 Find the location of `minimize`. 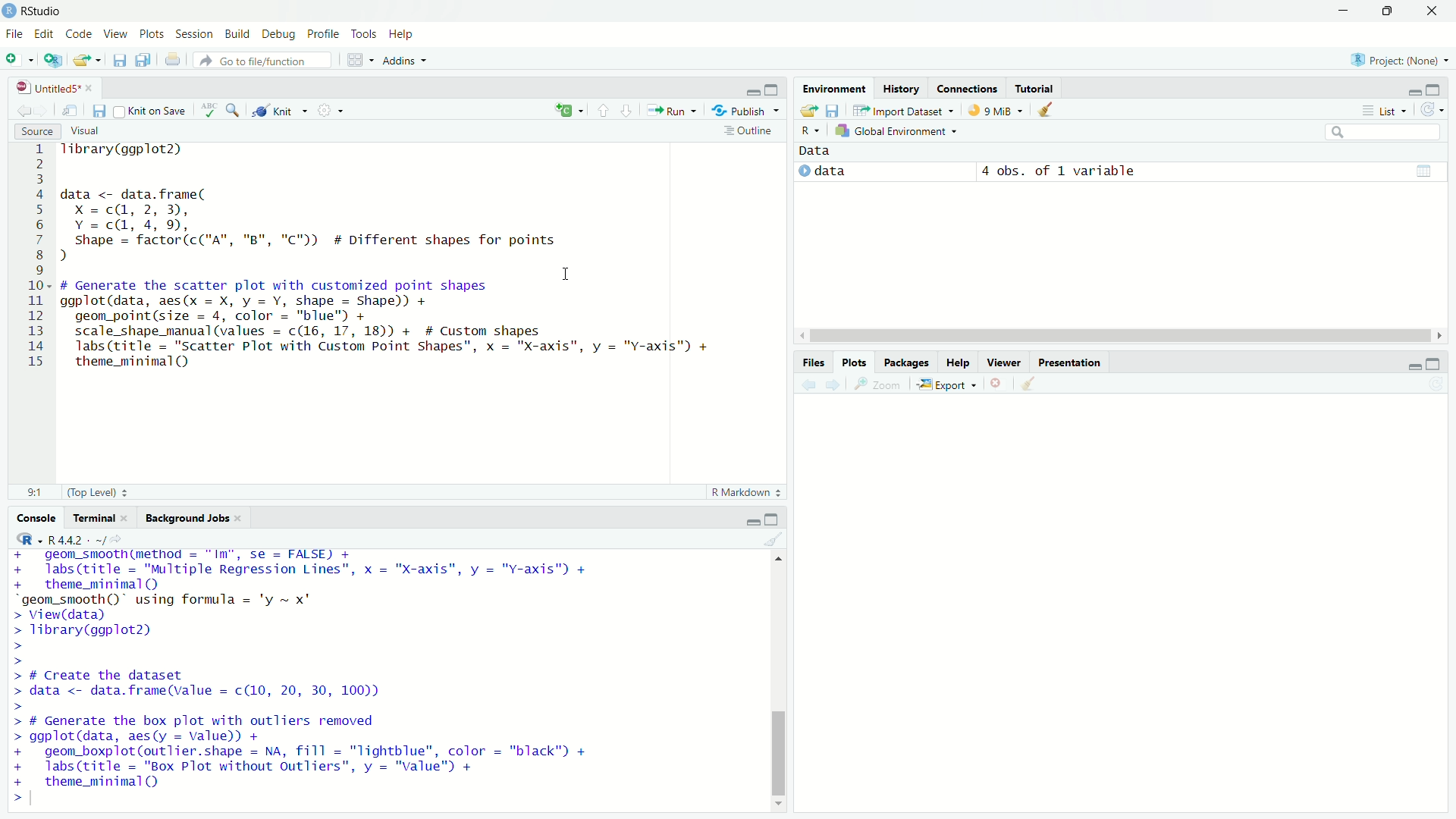

minimize is located at coordinates (1413, 366).